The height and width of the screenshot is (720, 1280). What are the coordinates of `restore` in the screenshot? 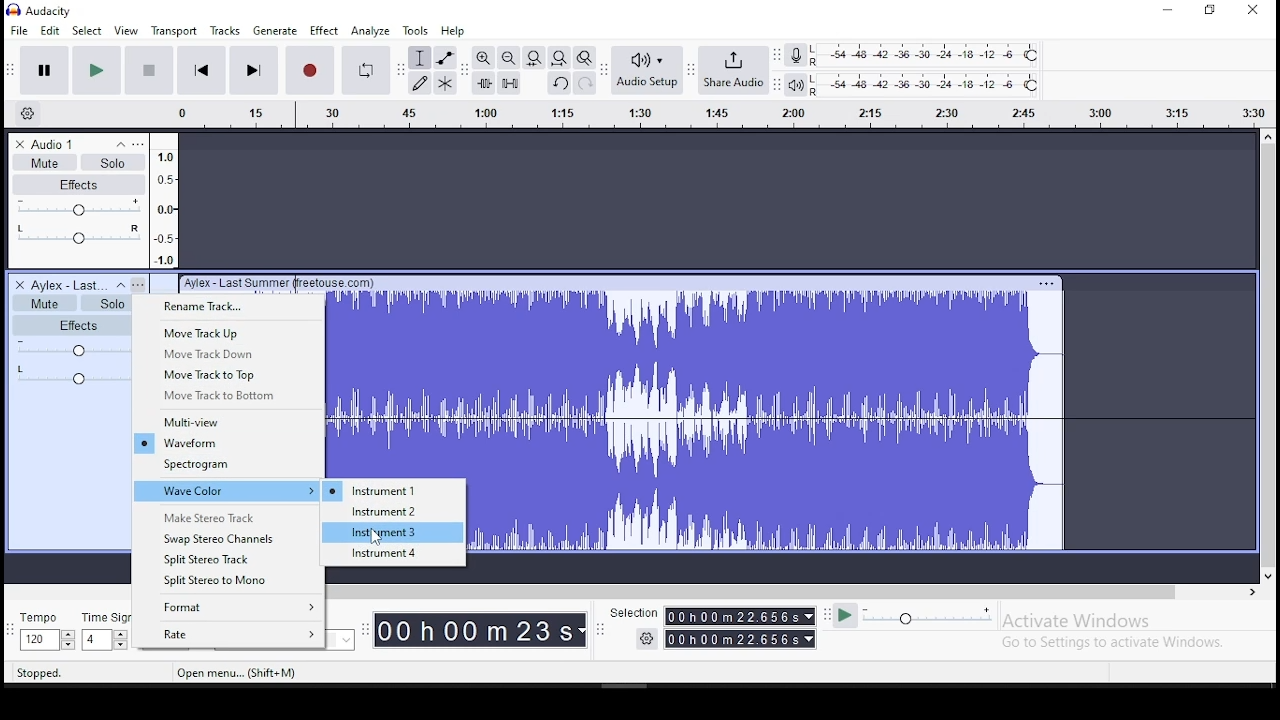 It's located at (1211, 10).